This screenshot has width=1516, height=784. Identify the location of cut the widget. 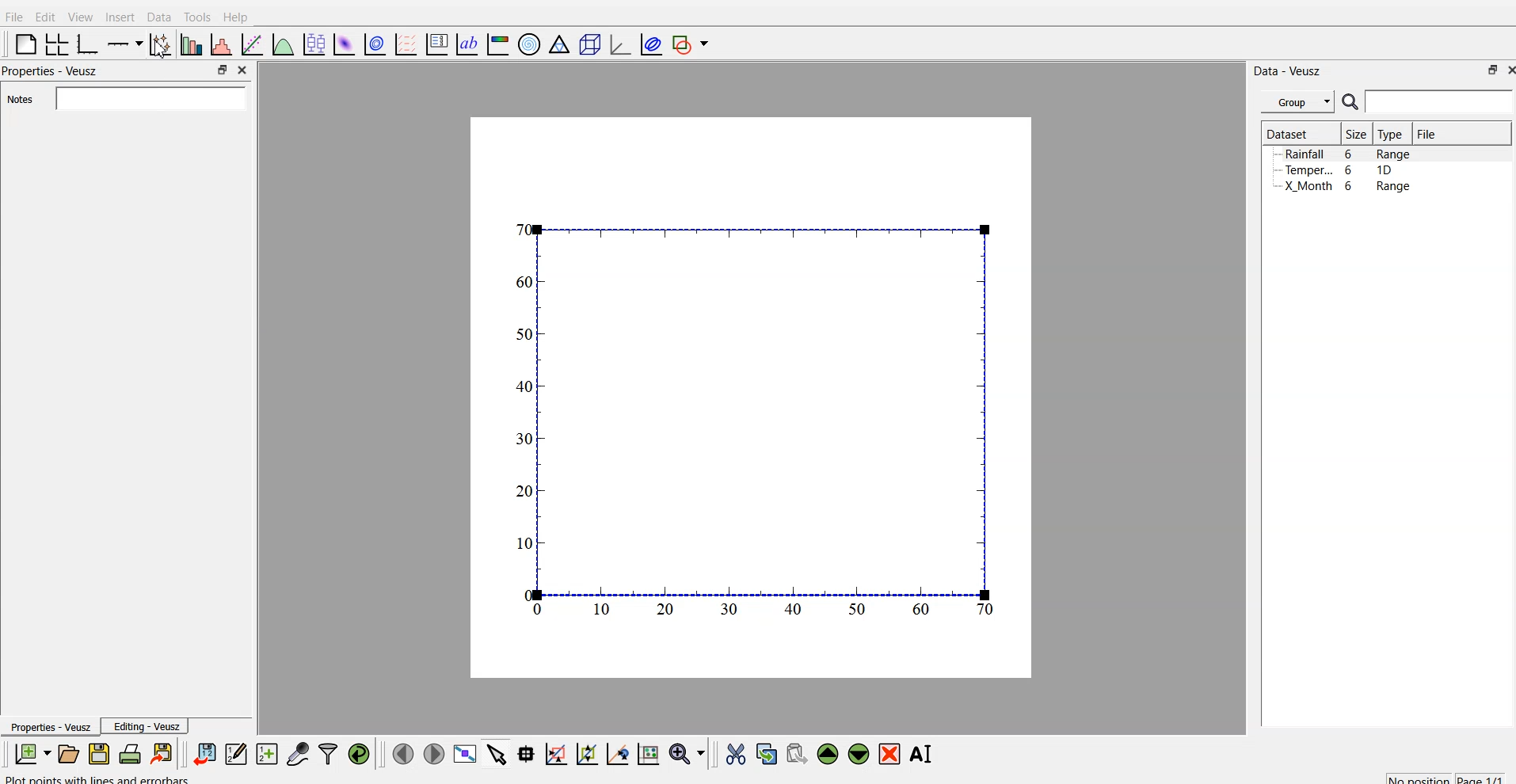
(734, 753).